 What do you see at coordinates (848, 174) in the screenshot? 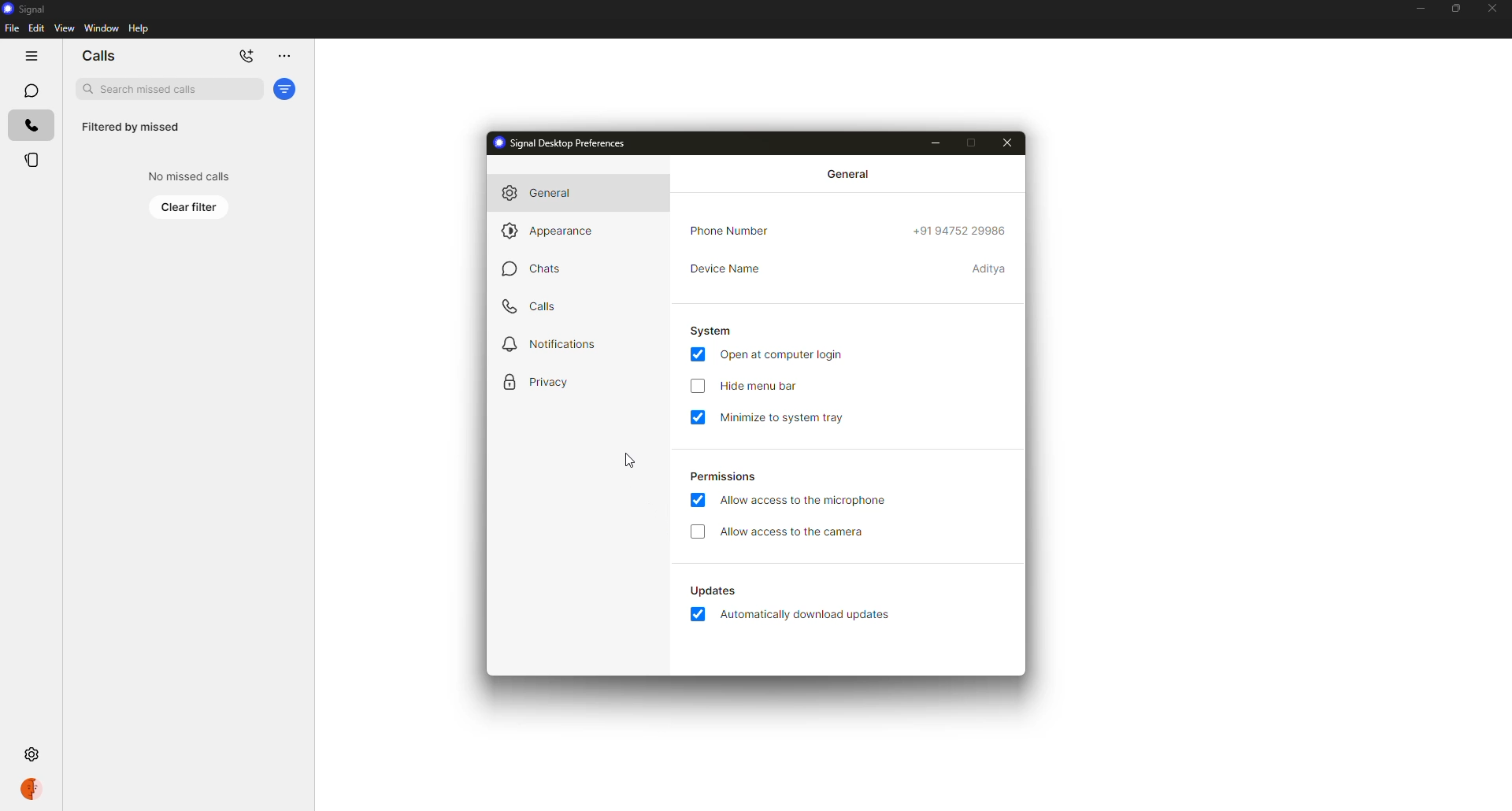
I see `general` at bounding box center [848, 174].